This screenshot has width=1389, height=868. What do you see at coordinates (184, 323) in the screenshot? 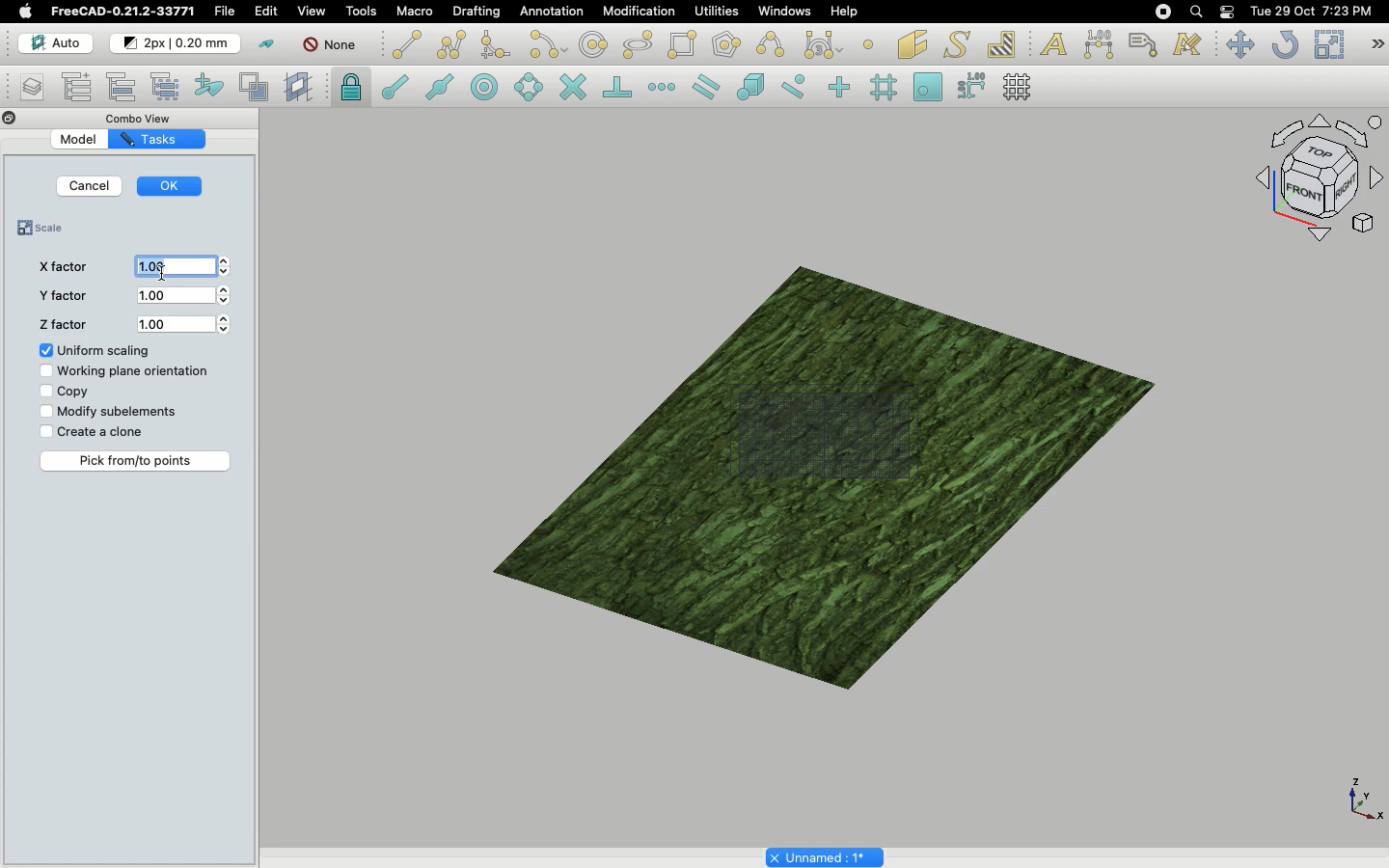
I see `100` at bounding box center [184, 323].